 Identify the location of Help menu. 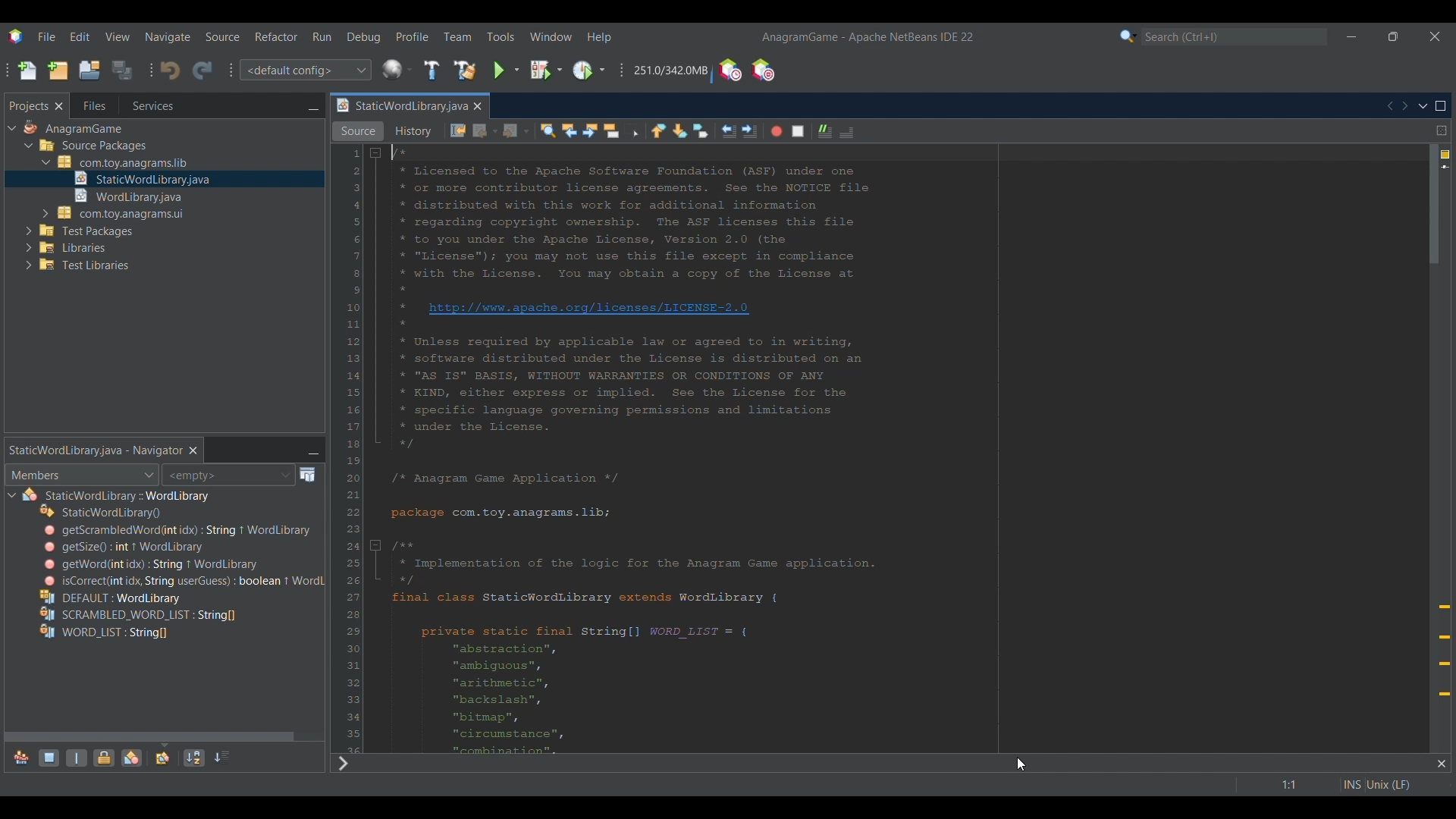
(600, 39).